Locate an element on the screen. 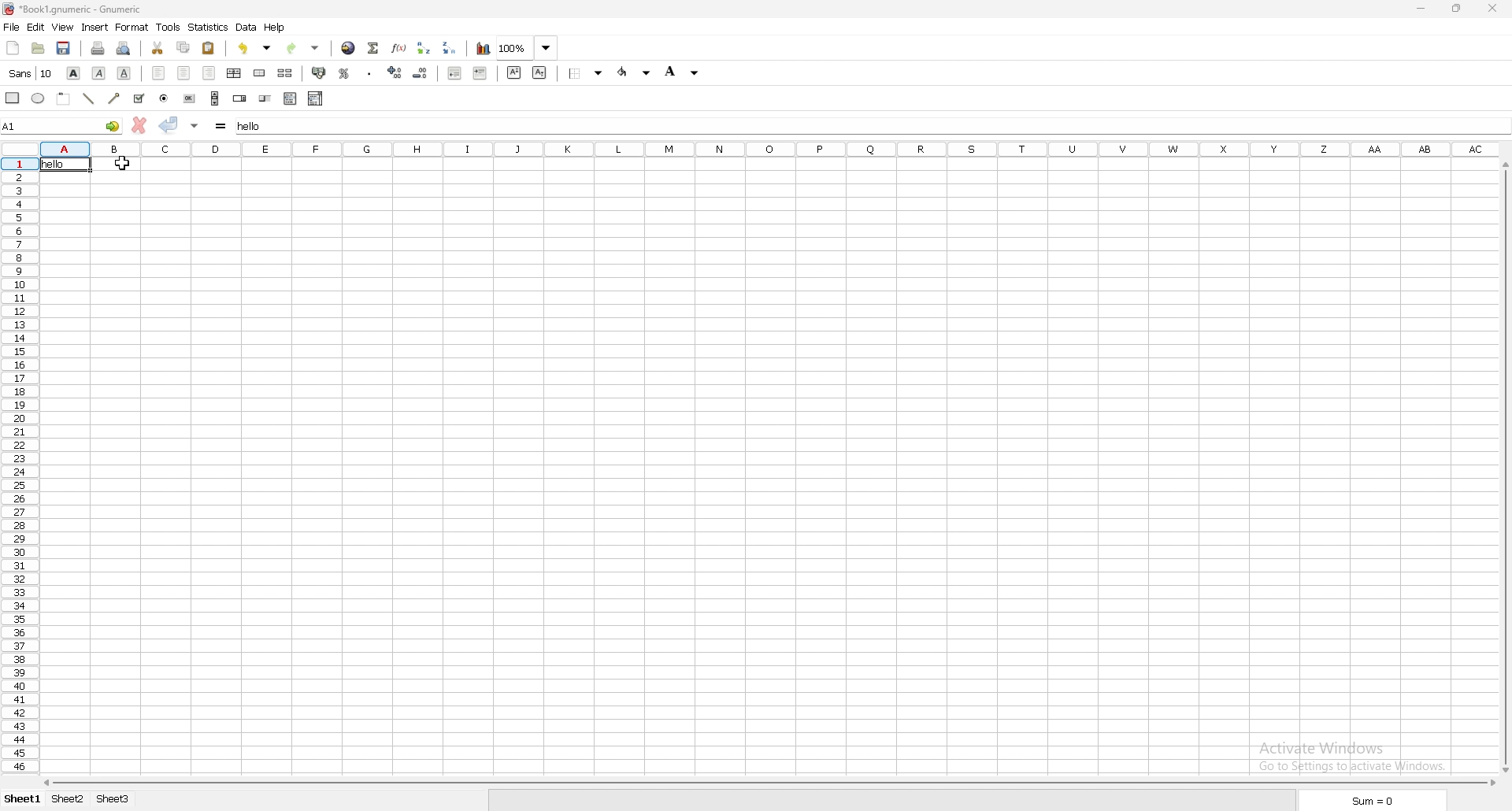  copy is located at coordinates (183, 46).